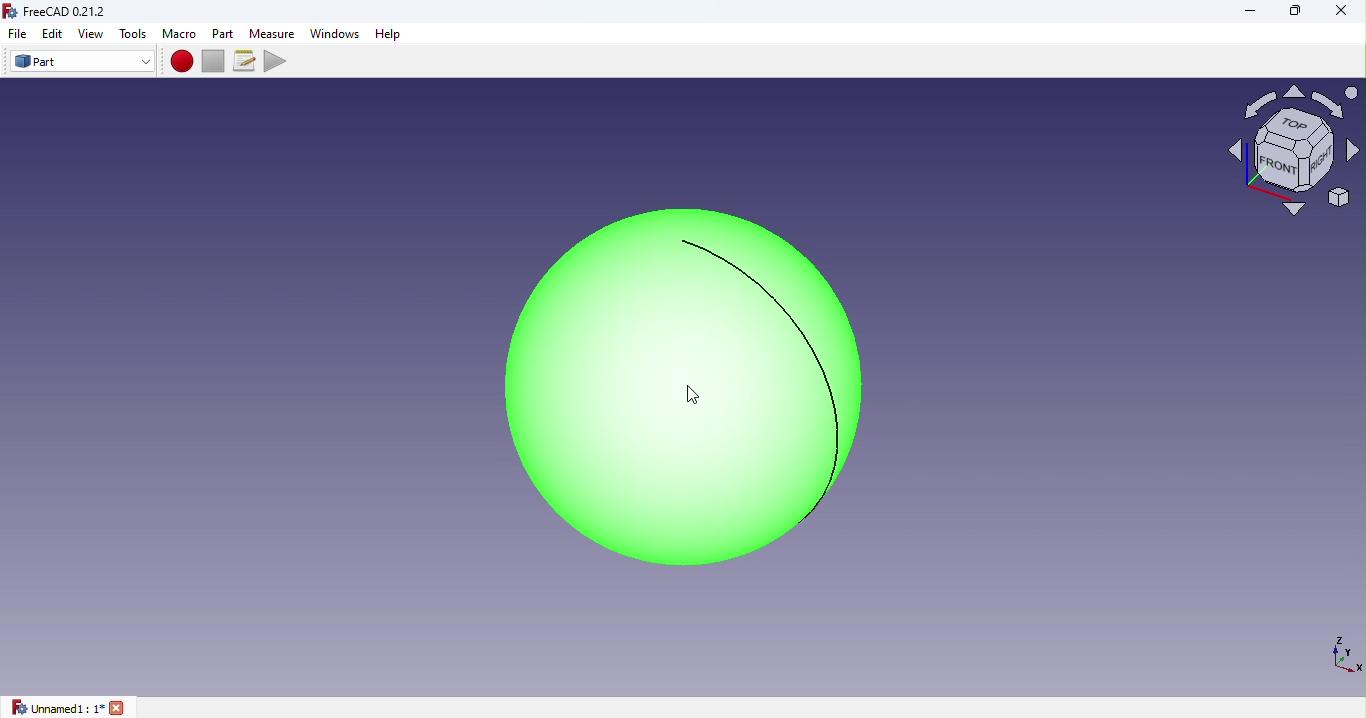 This screenshot has height=718, width=1366. I want to click on Macro recording, so click(183, 61).